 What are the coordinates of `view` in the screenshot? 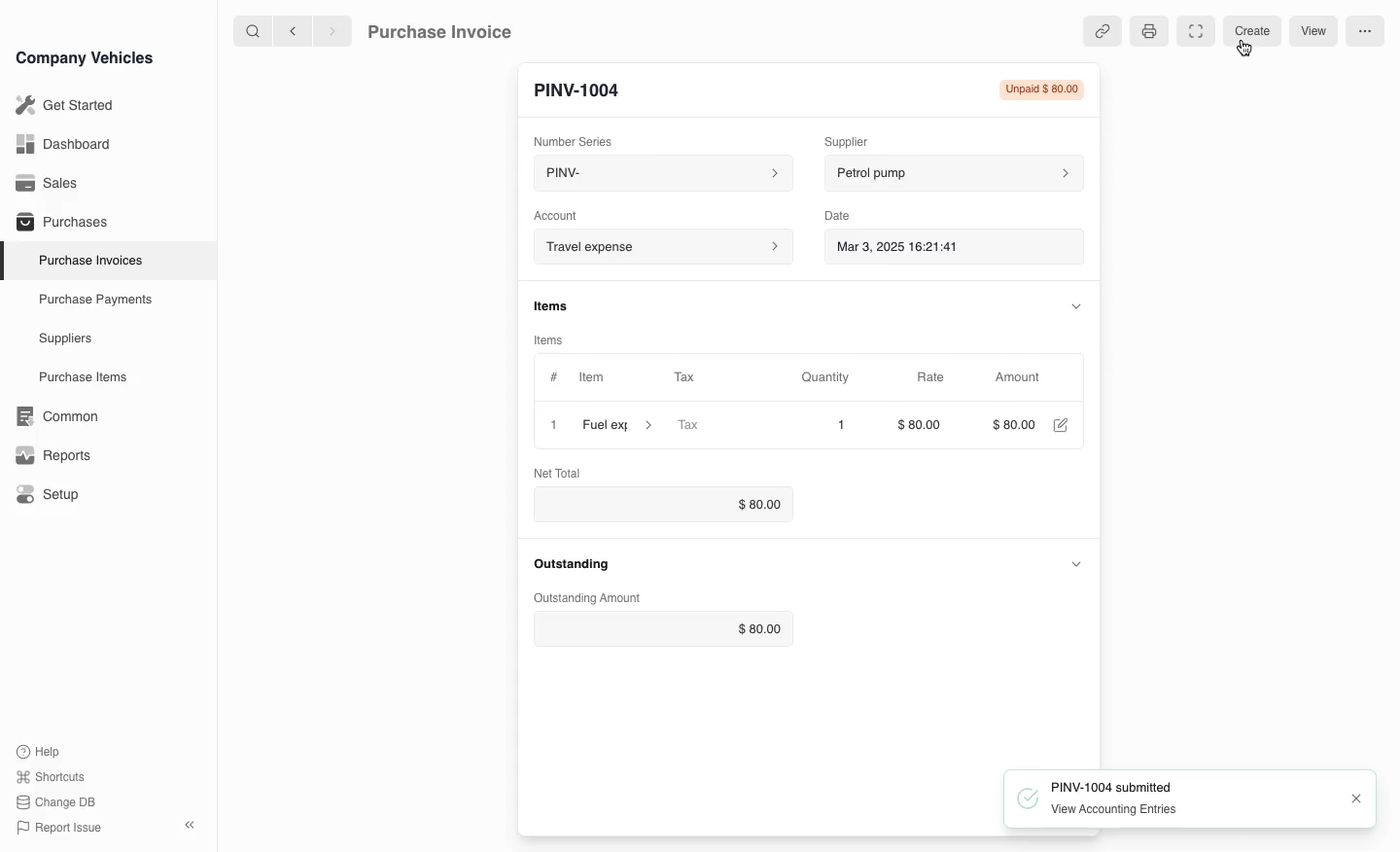 It's located at (1313, 32).